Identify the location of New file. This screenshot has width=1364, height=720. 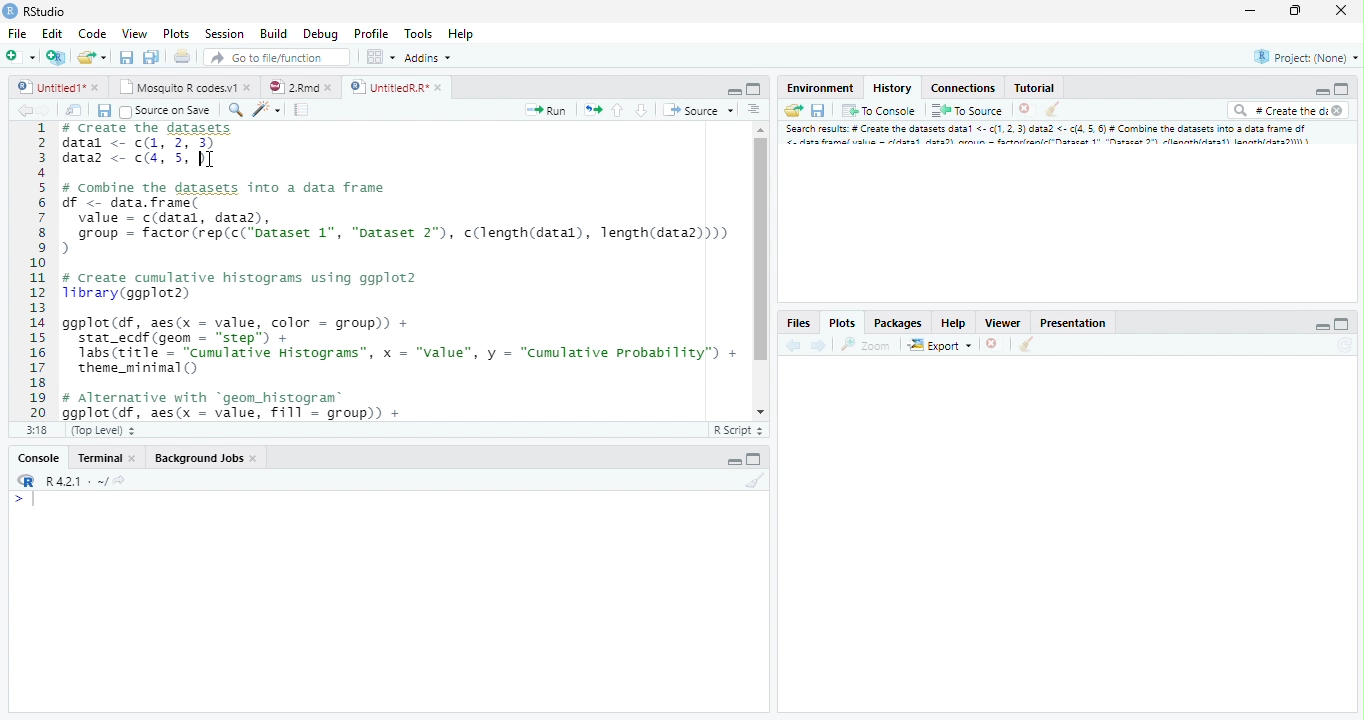
(20, 55).